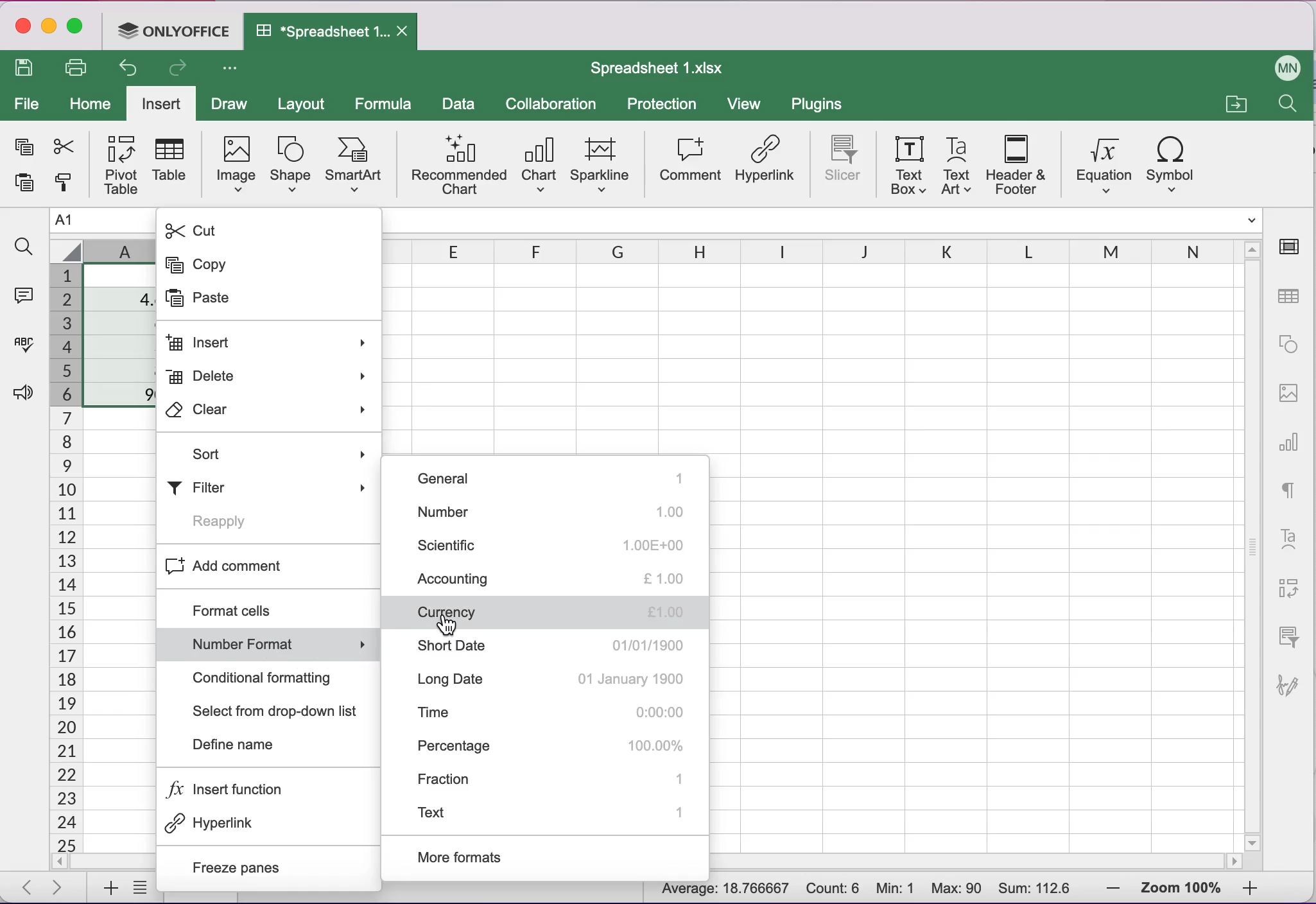 The height and width of the screenshot is (904, 1316). Describe the element at coordinates (558, 512) in the screenshot. I see `number` at that location.